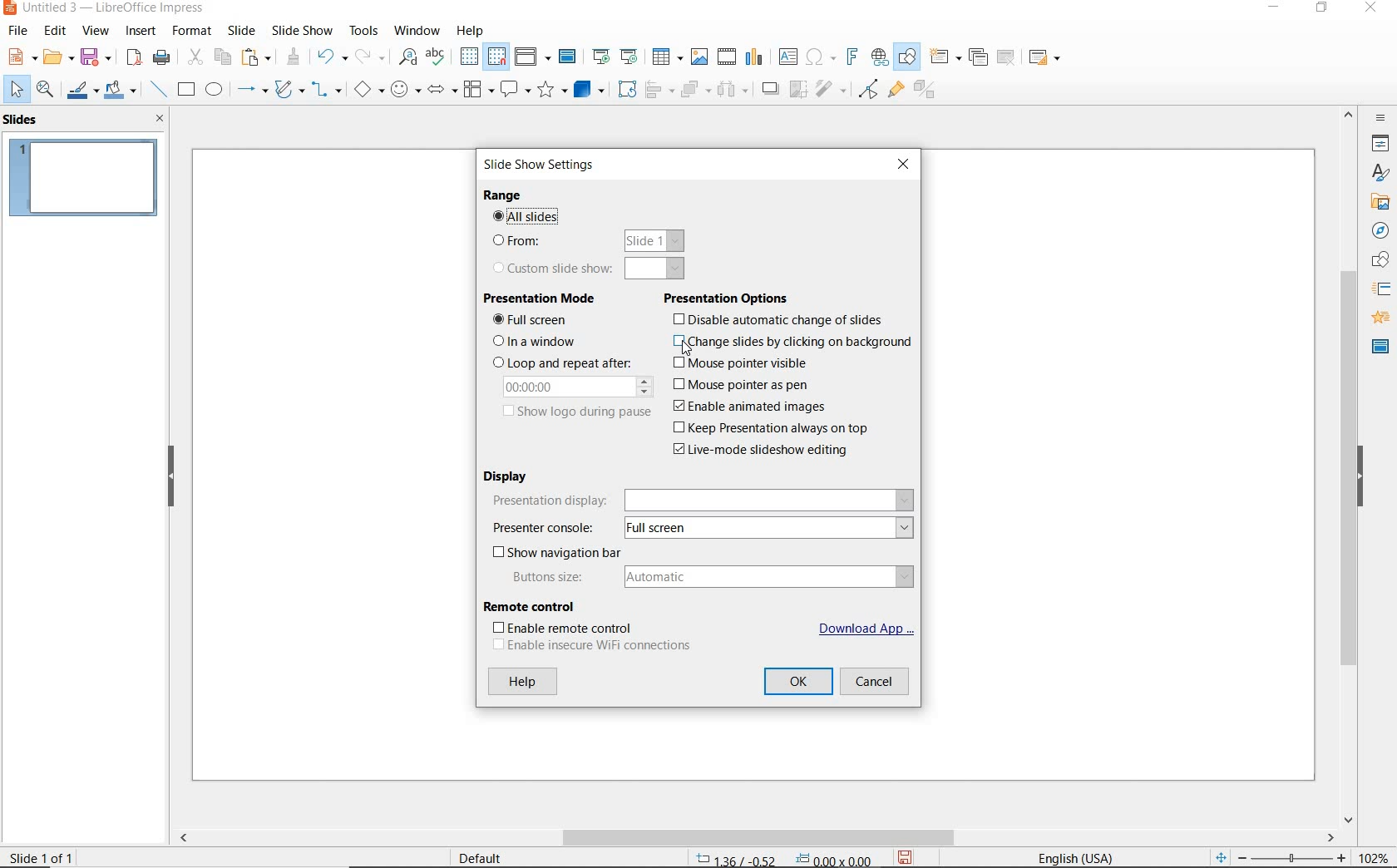 The image size is (1397, 868). What do you see at coordinates (731, 91) in the screenshot?
I see `THREE OBJECTS TO DISTRIBUTE` at bounding box center [731, 91].